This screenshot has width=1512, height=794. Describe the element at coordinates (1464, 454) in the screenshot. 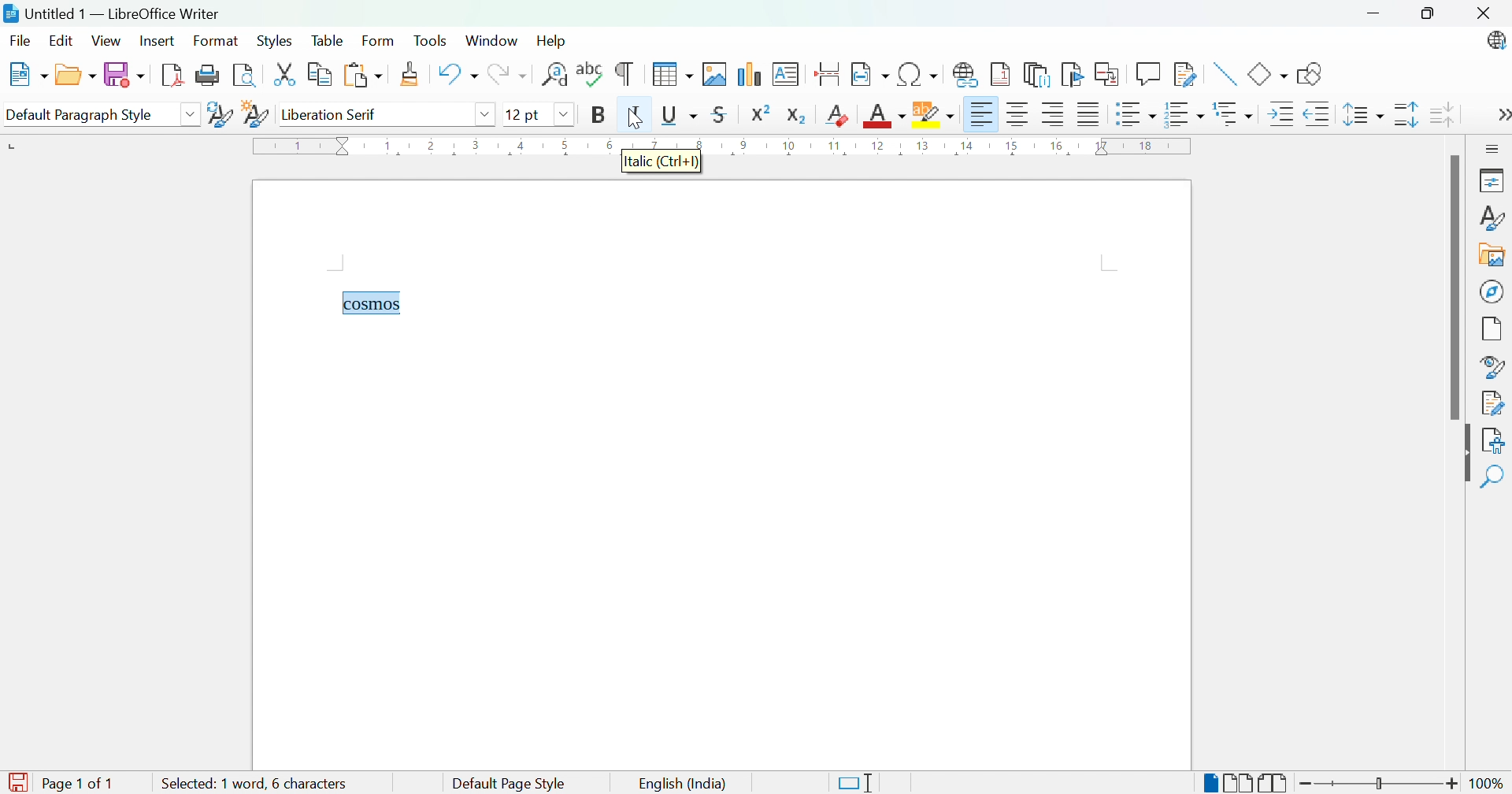

I see `Hide` at that location.